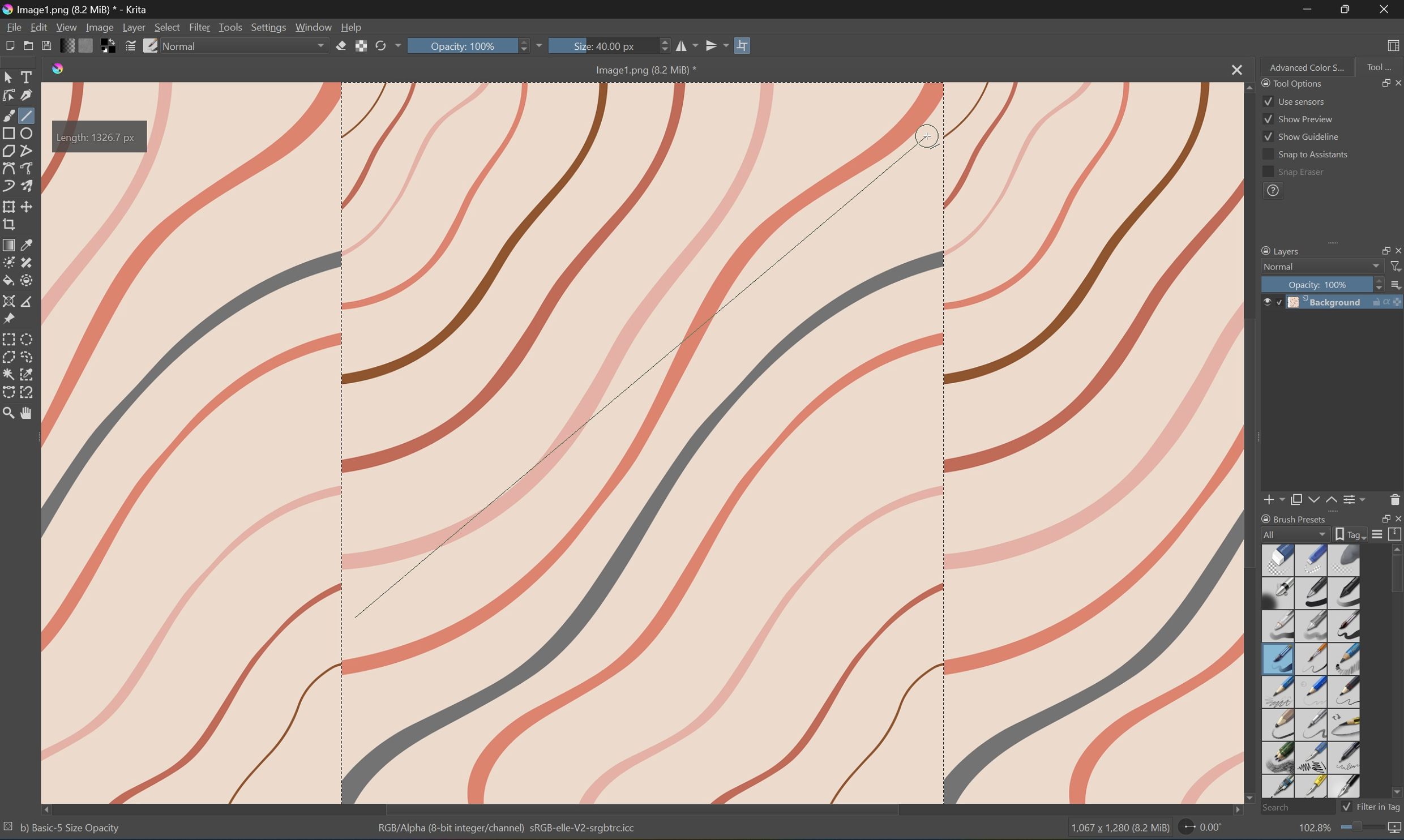 This screenshot has height=840, width=1404. I want to click on Window, so click(315, 28).